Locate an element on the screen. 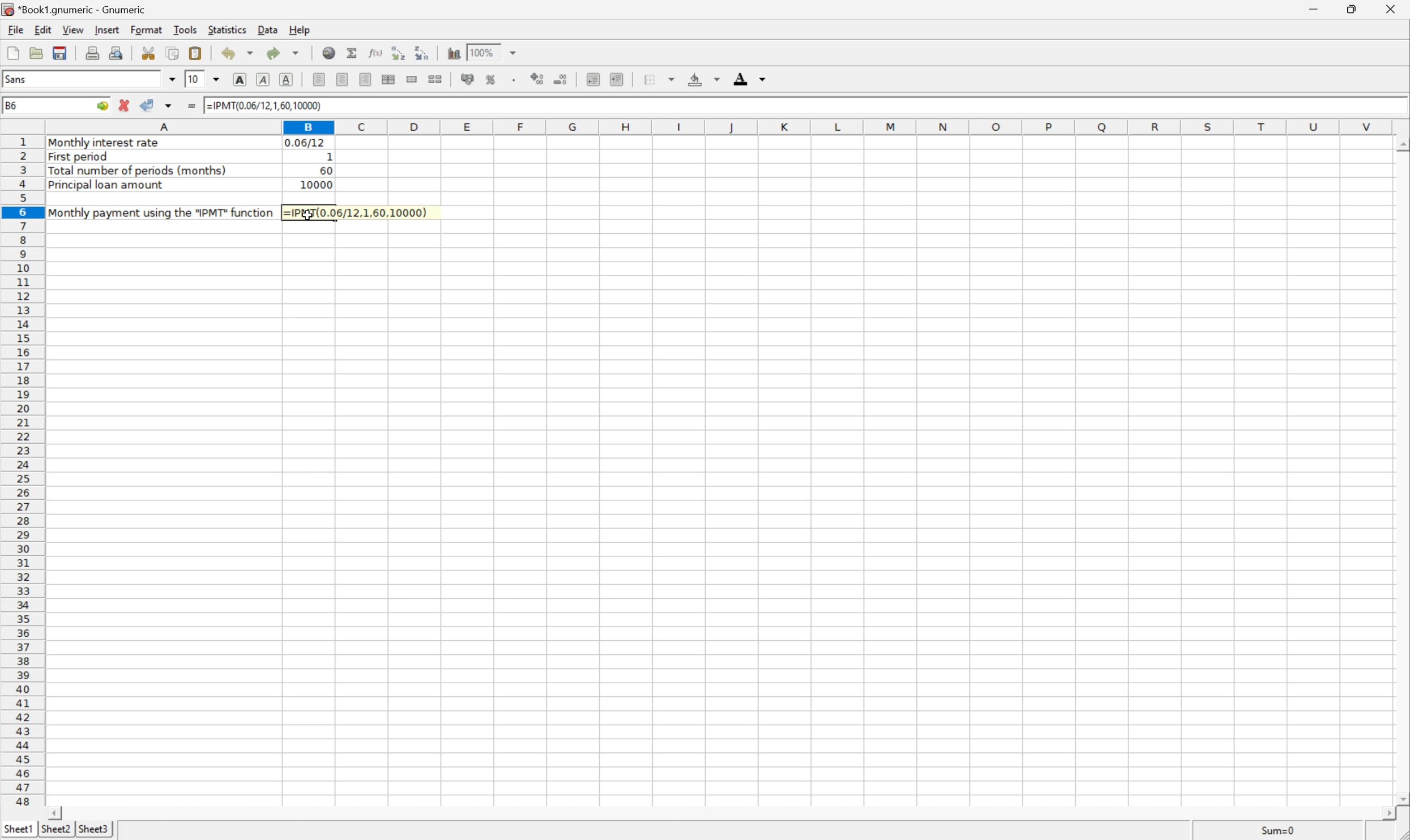 Image resolution: width=1410 pixels, height=840 pixels. Cancel changes is located at coordinates (123, 104).